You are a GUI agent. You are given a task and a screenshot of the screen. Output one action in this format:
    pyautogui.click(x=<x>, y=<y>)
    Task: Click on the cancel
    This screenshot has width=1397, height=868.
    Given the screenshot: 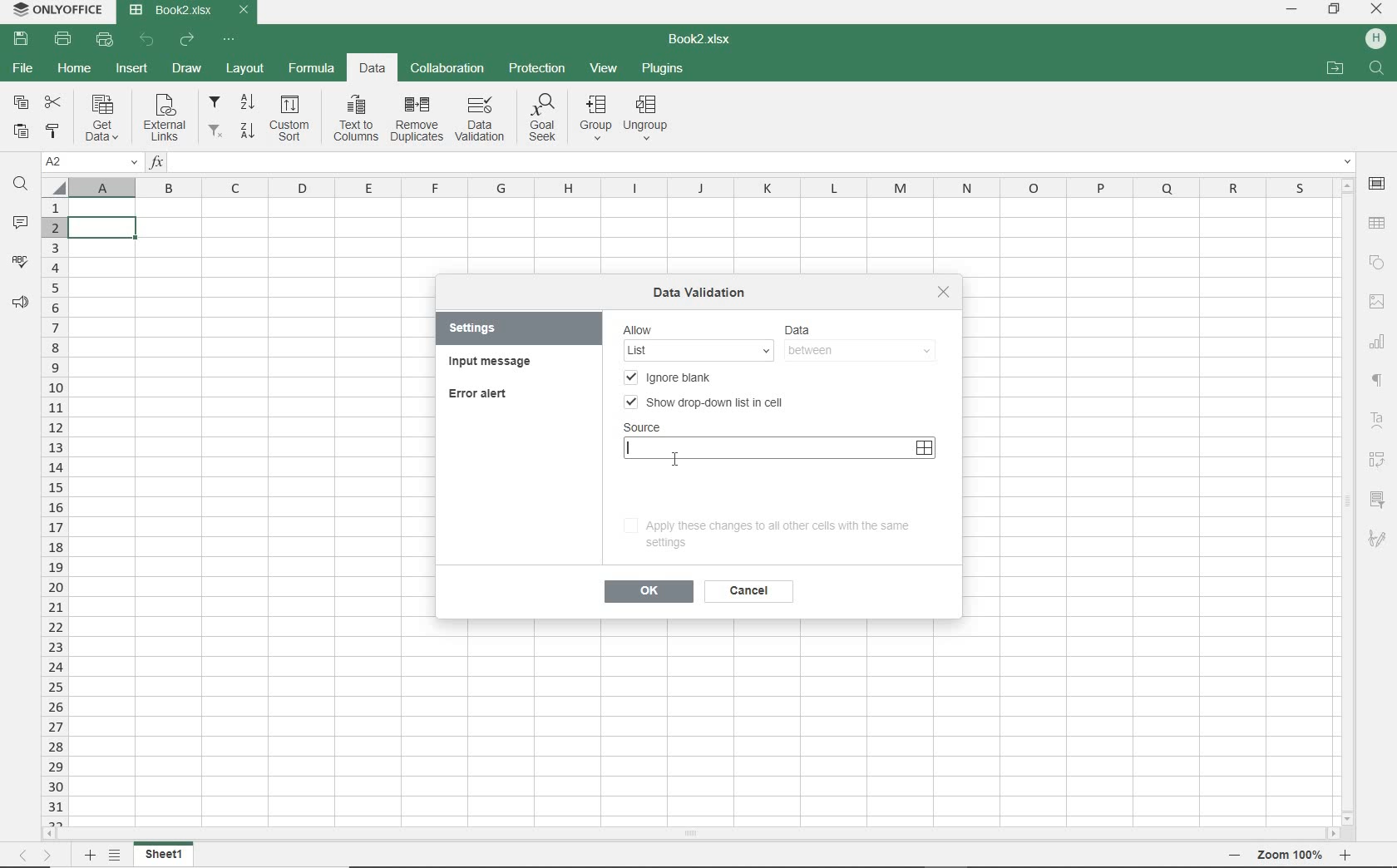 What is the action you would take?
    pyautogui.click(x=748, y=591)
    